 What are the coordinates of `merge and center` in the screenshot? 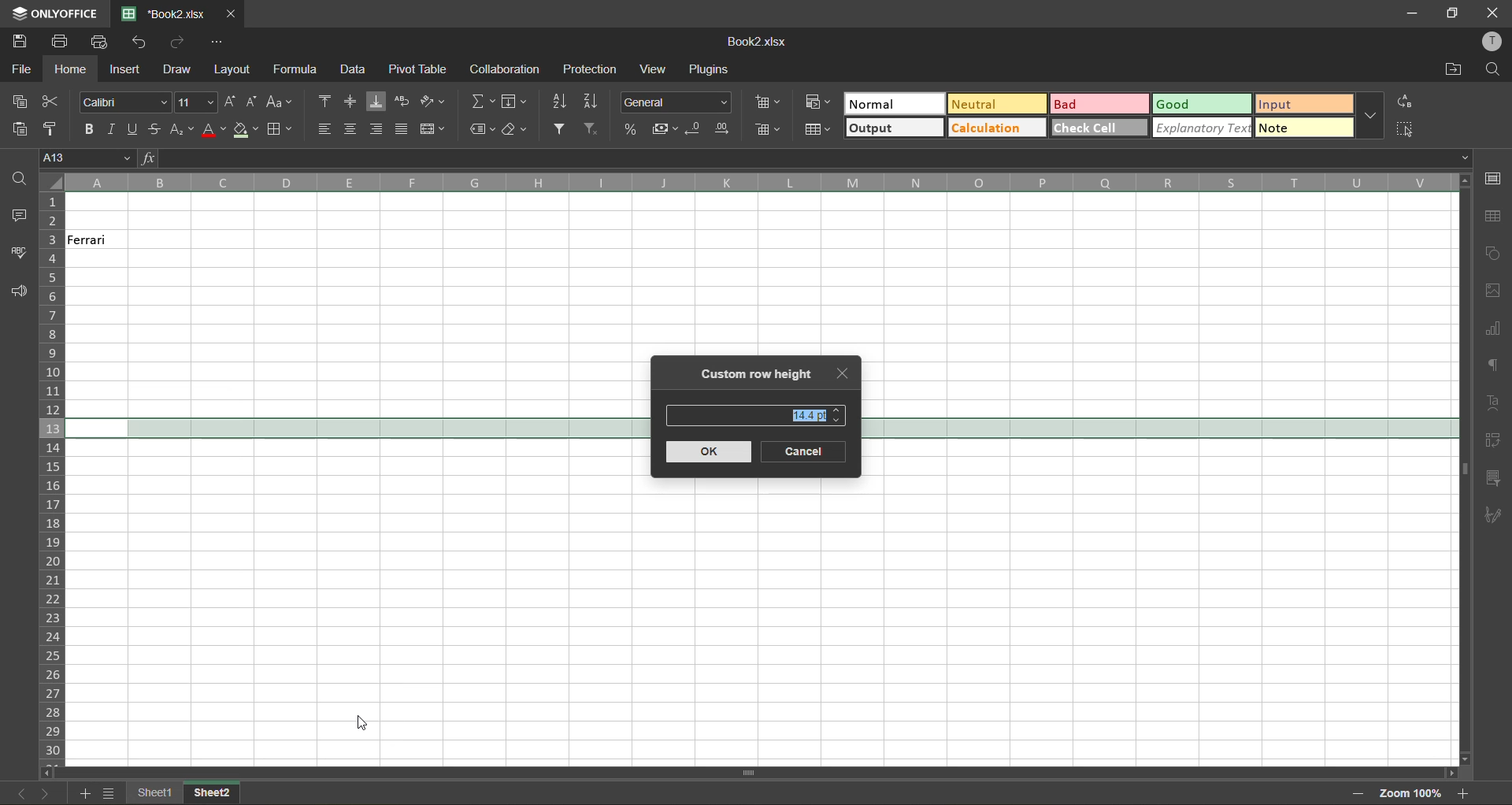 It's located at (432, 129).